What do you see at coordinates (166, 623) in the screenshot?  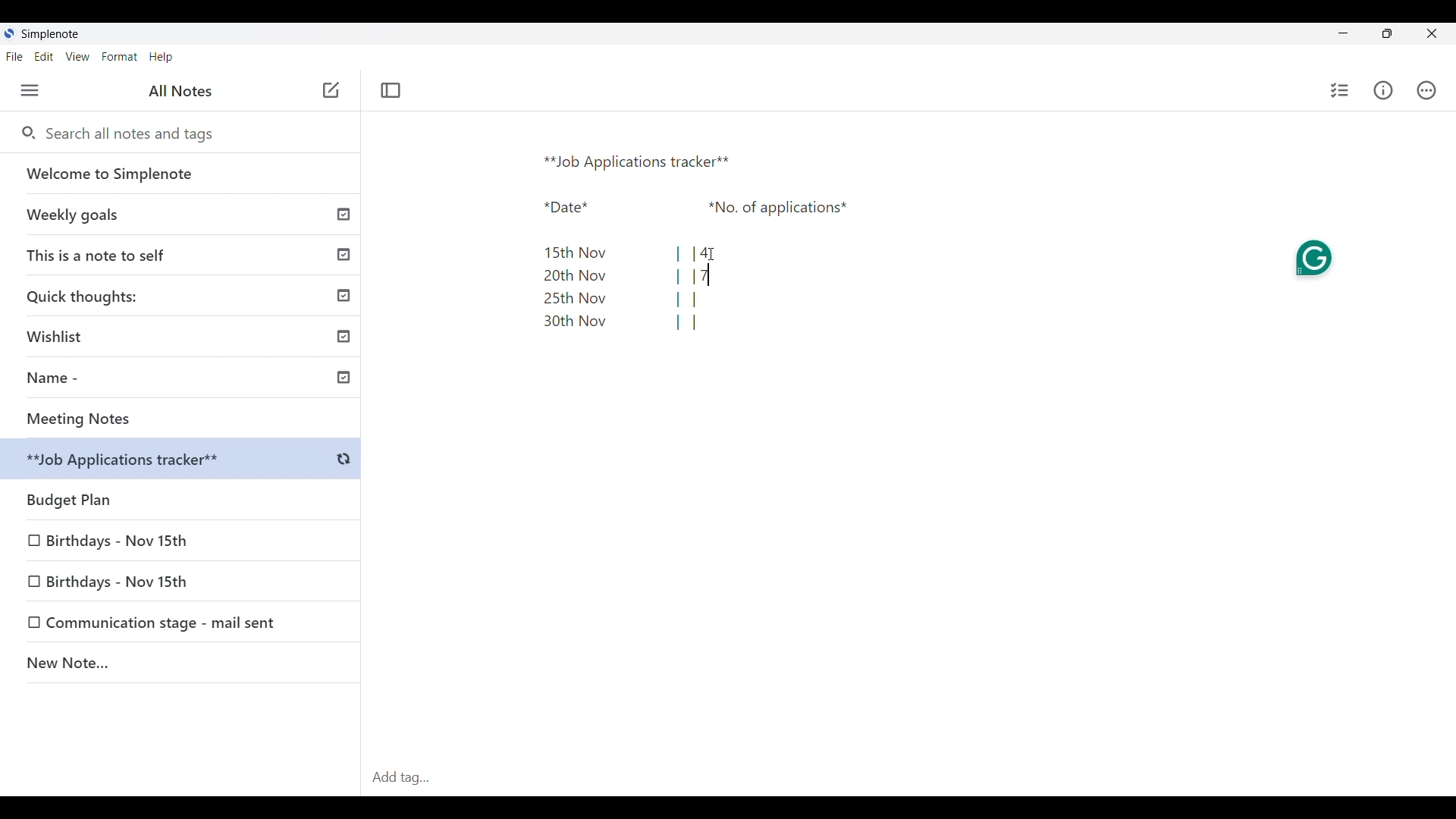 I see `Communication stage - mail sent` at bounding box center [166, 623].